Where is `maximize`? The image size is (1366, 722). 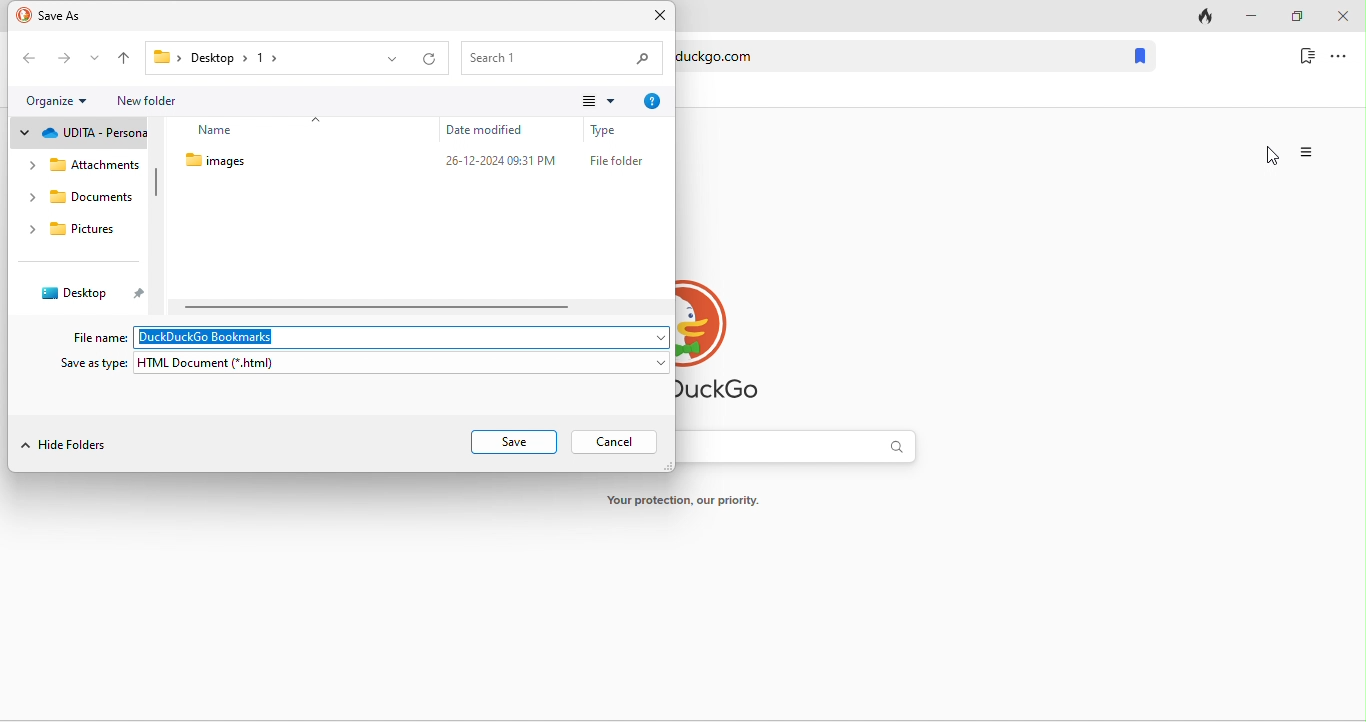 maximize is located at coordinates (1296, 17).